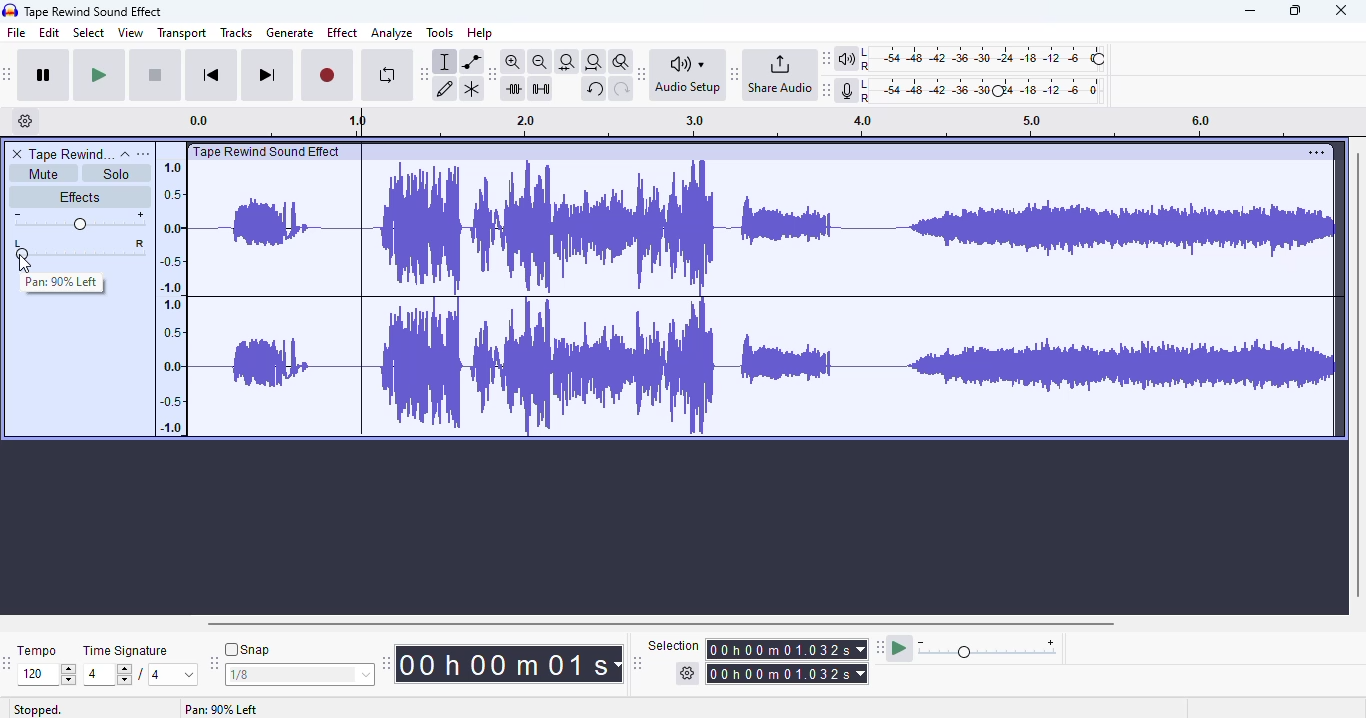  Describe the element at coordinates (516, 89) in the screenshot. I see `trim audio outside selection` at that location.